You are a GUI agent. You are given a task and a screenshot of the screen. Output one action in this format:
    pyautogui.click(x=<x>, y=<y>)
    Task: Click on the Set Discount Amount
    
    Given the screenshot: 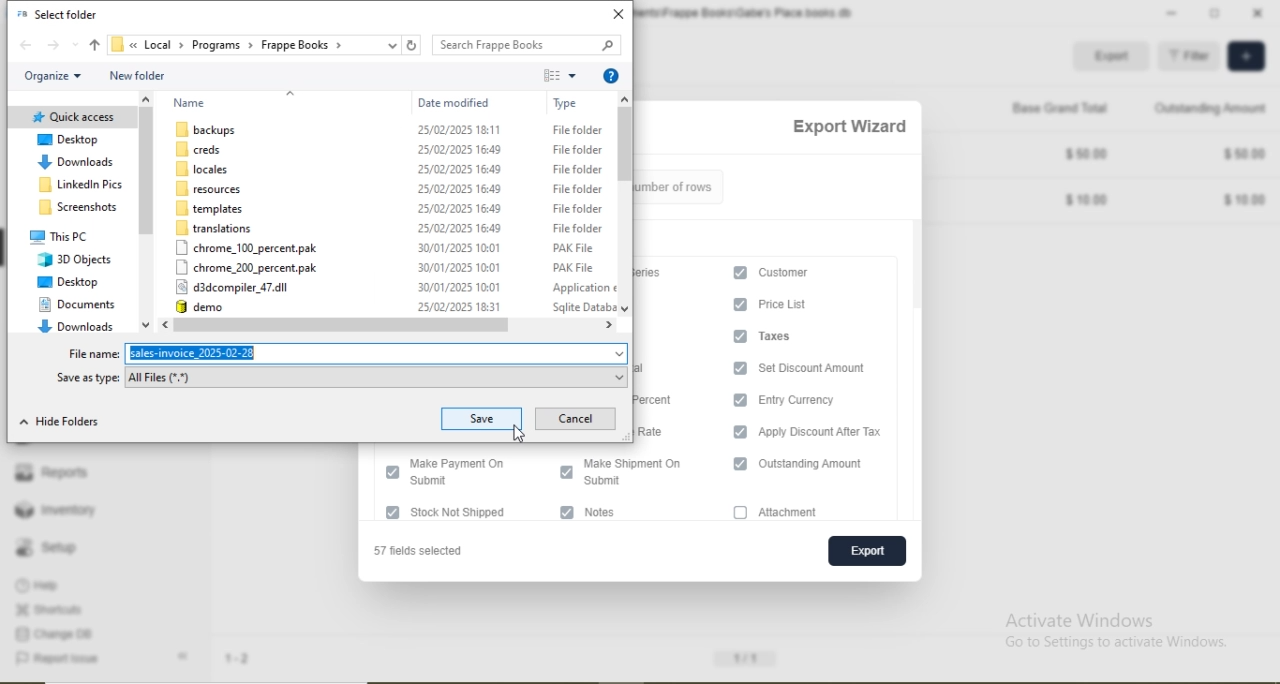 What is the action you would take?
    pyautogui.click(x=824, y=367)
    